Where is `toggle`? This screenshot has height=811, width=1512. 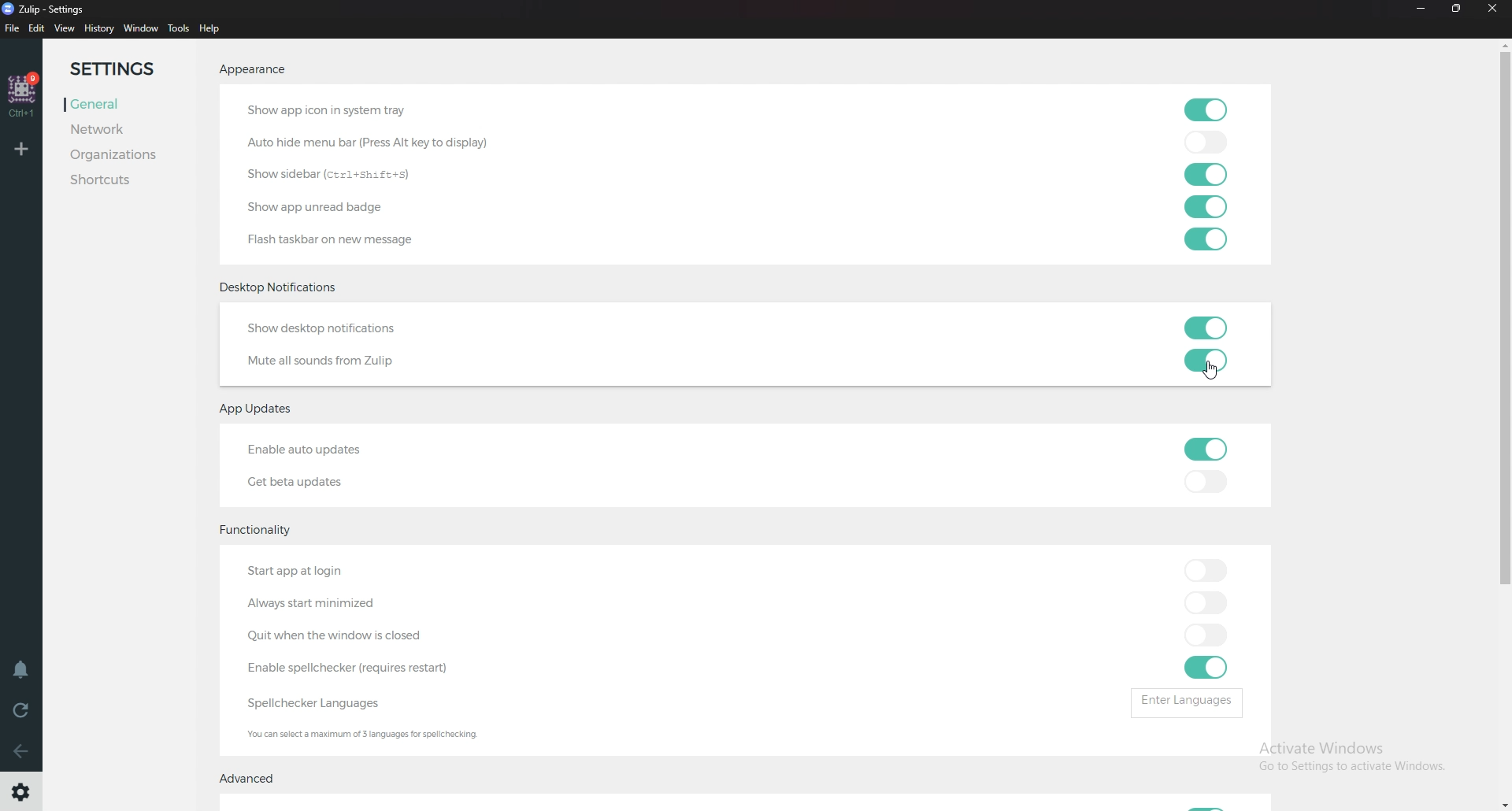 toggle is located at coordinates (1206, 450).